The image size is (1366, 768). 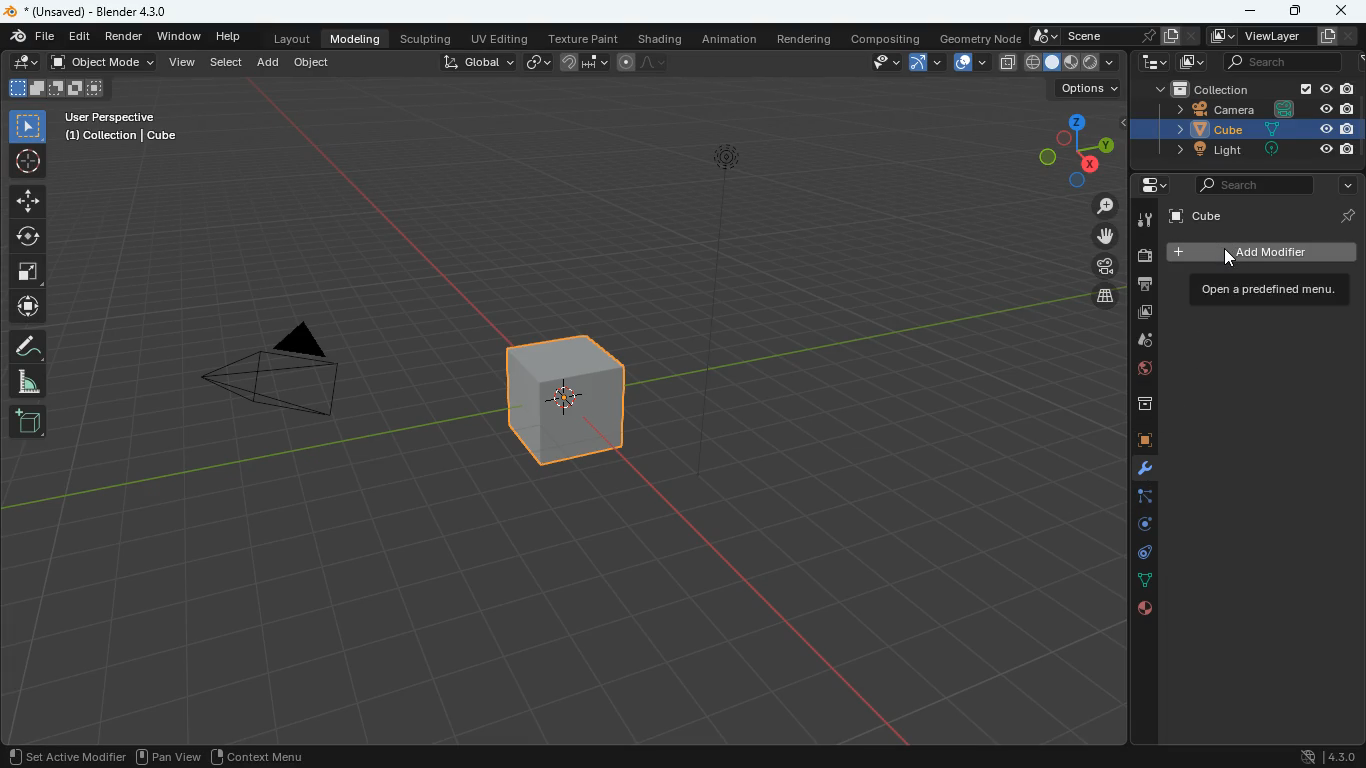 What do you see at coordinates (925, 62) in the screenshot?
I see `arc` at bounding box center [925, 62].